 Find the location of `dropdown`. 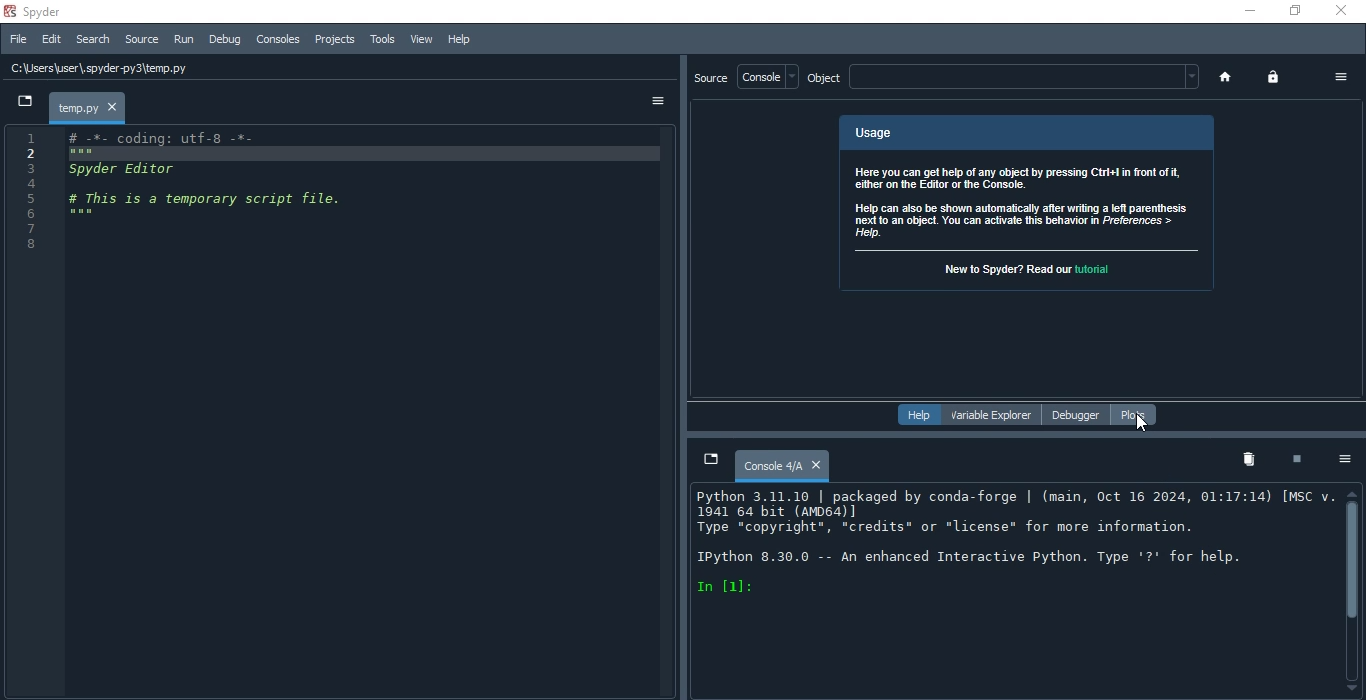

dropdown is located at coordinates (708, 460).